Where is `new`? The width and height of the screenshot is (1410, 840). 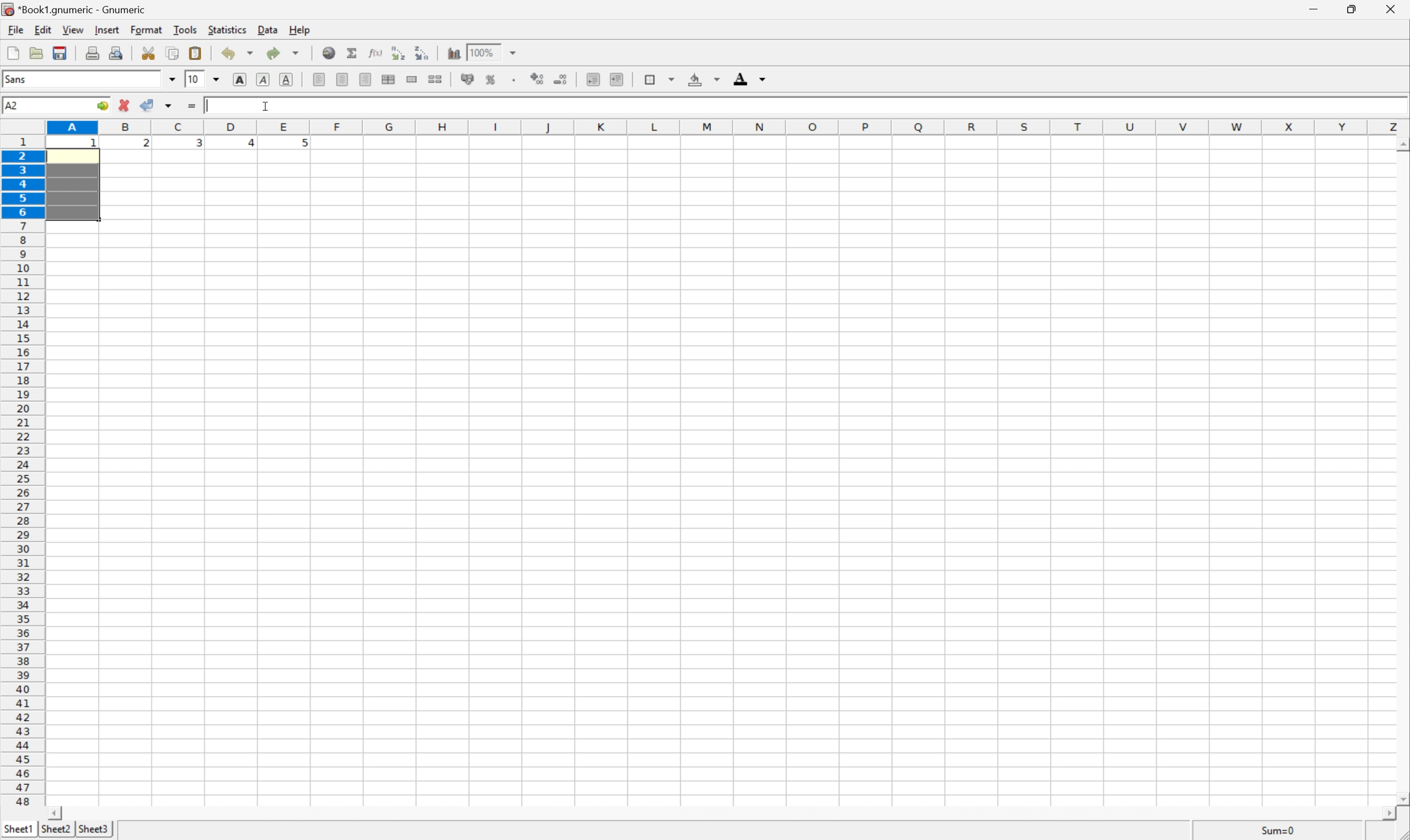
new is located at coordinates (14, 52).